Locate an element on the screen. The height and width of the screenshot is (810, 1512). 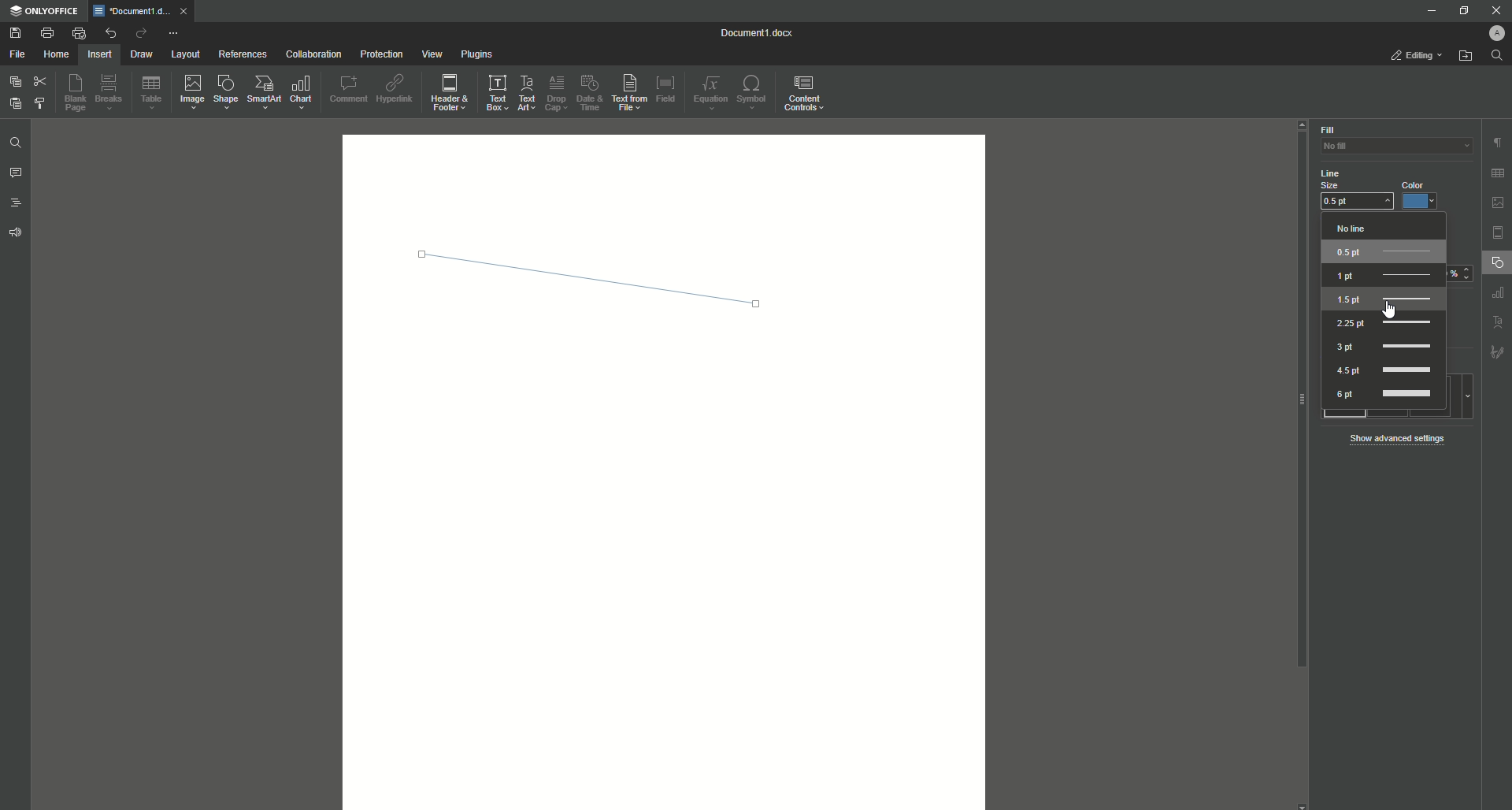
Equation is located at coordinates (711, 92).